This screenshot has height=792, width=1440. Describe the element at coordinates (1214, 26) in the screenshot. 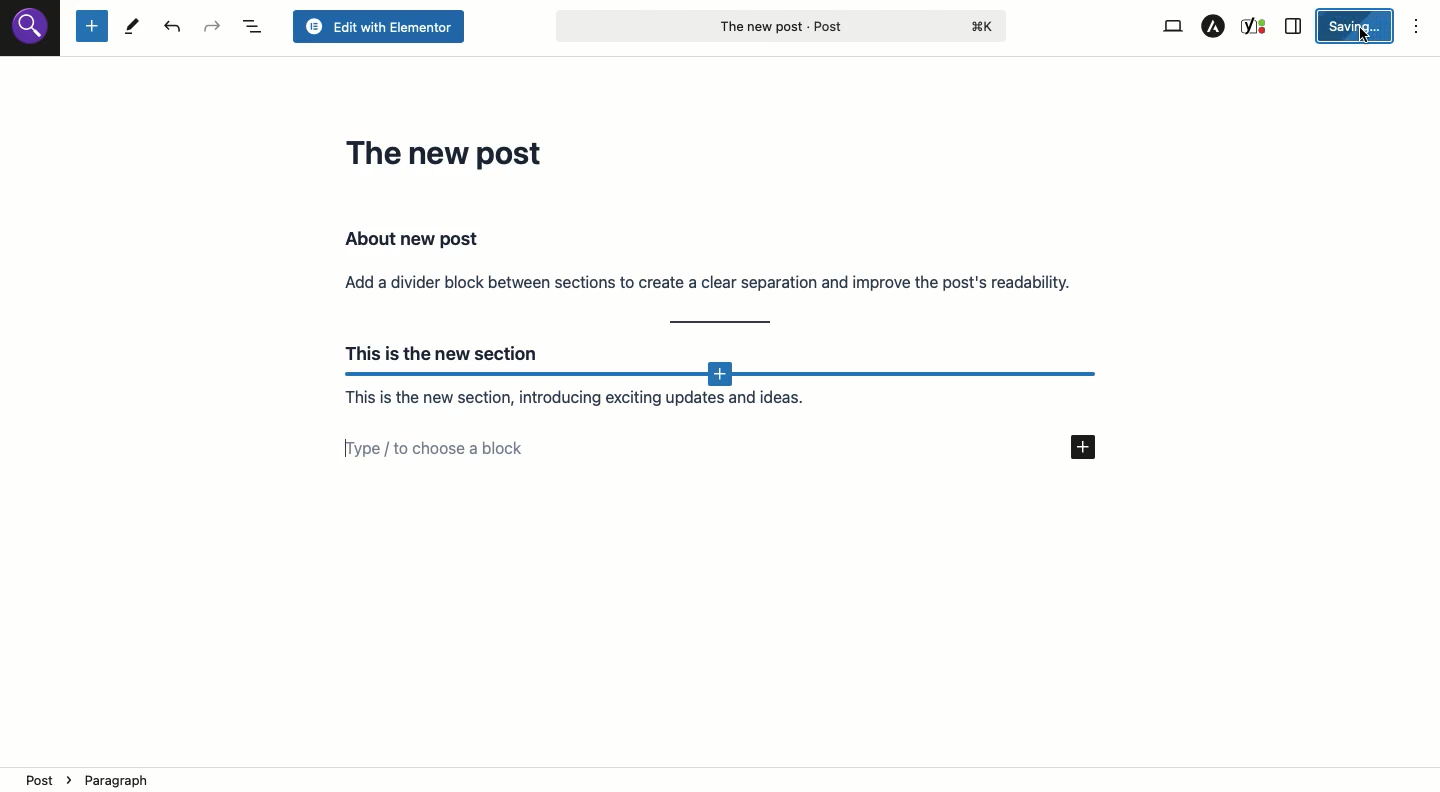

I see `Astar` at that location.